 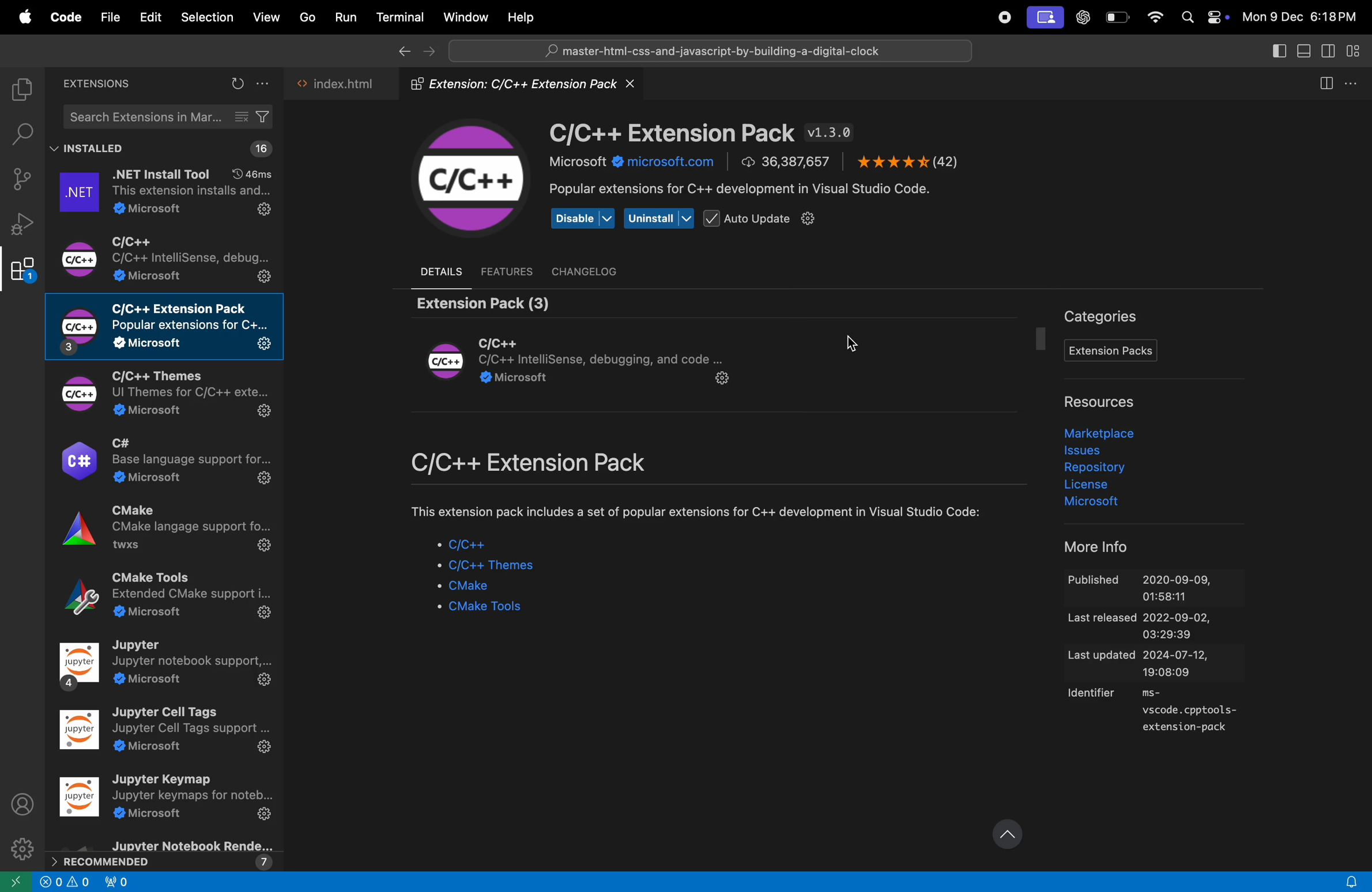 What do you see at coordinates (21, 846) in the screenshot?
I see `settings` at bounding box center [21, 846].